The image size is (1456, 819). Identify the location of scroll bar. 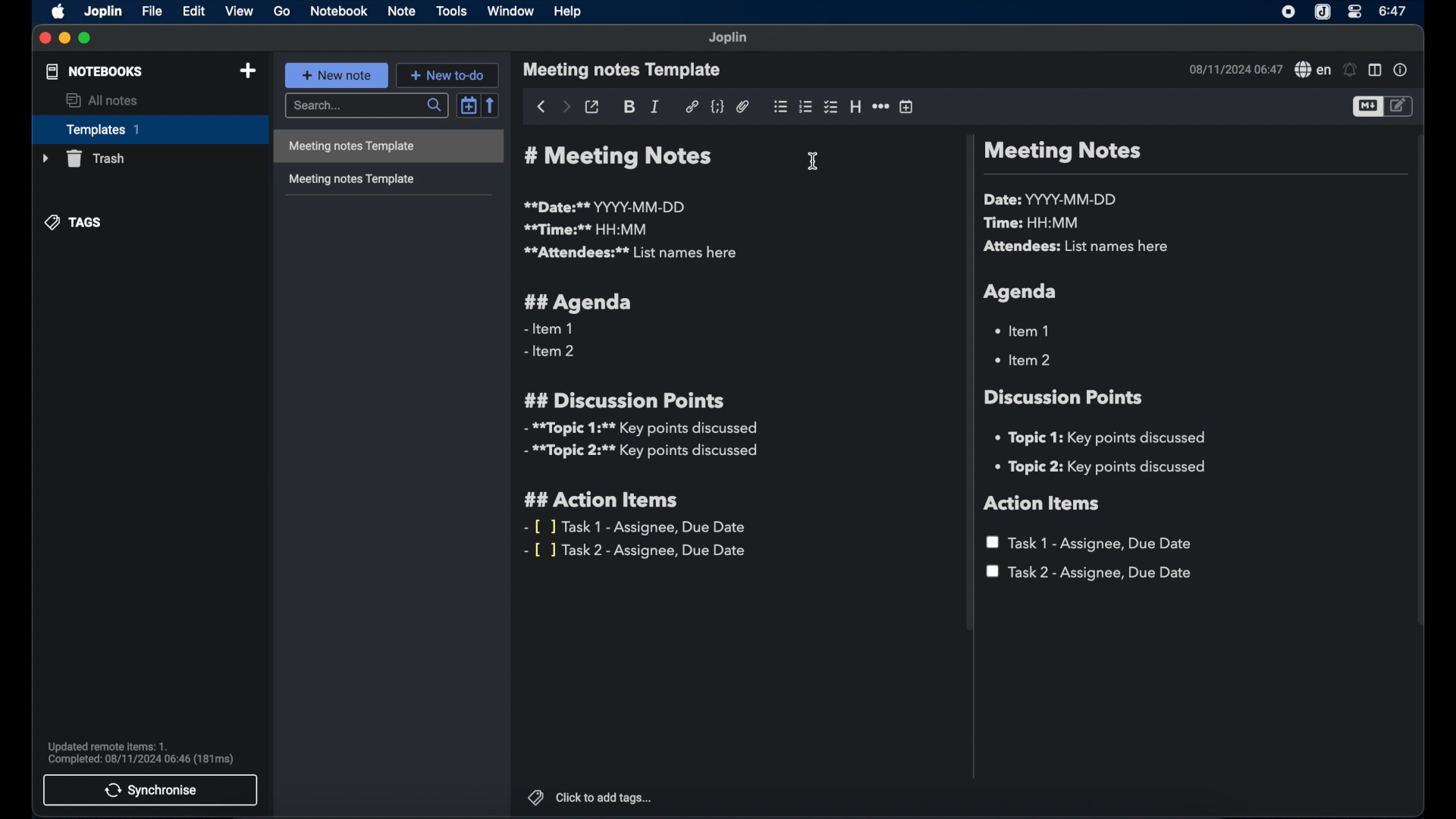
(966, 385).